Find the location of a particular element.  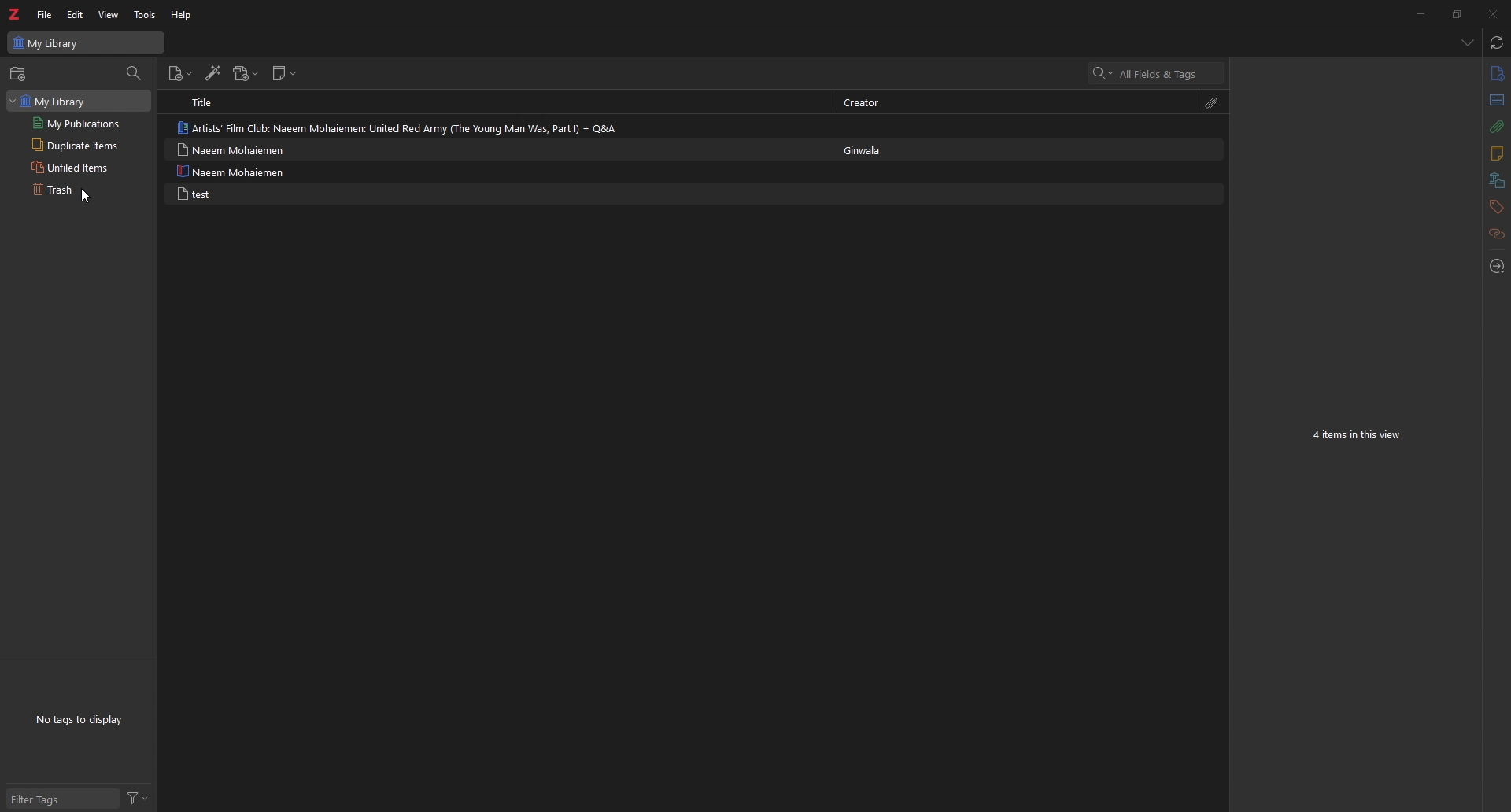

minimize is located at coordinates (1420, 14).